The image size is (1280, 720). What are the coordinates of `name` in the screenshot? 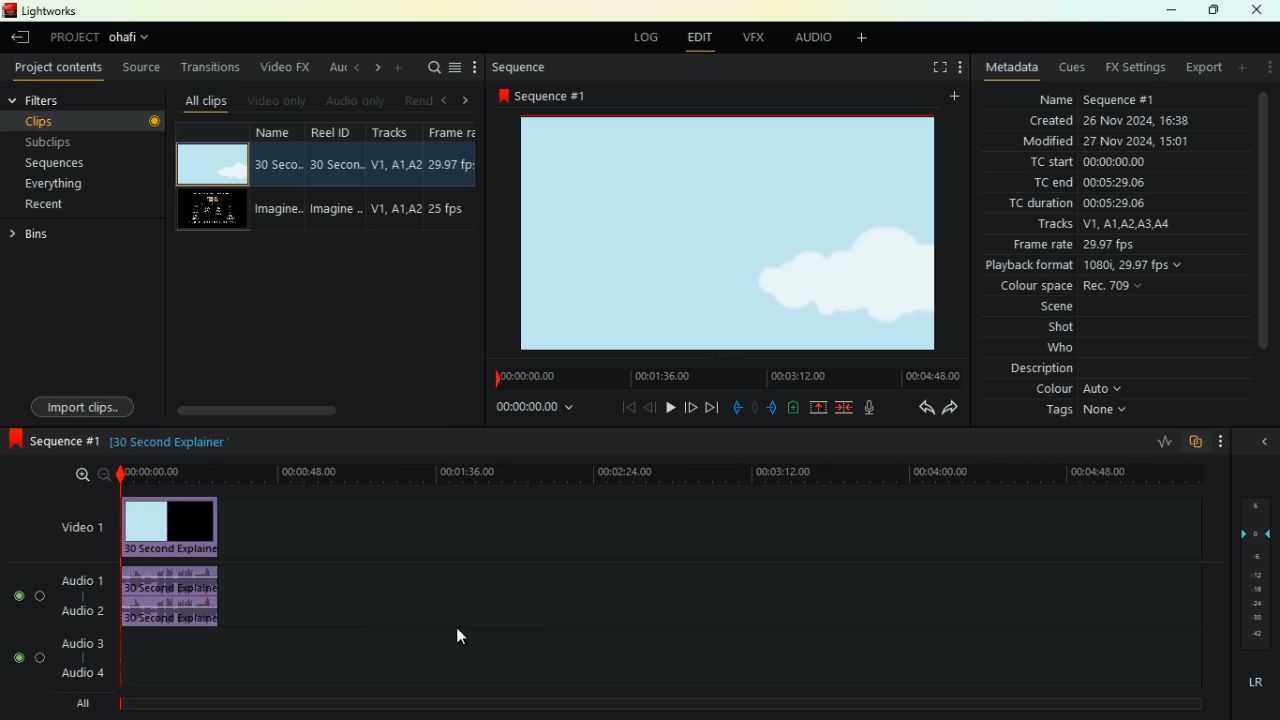 It's located at (279, 177).